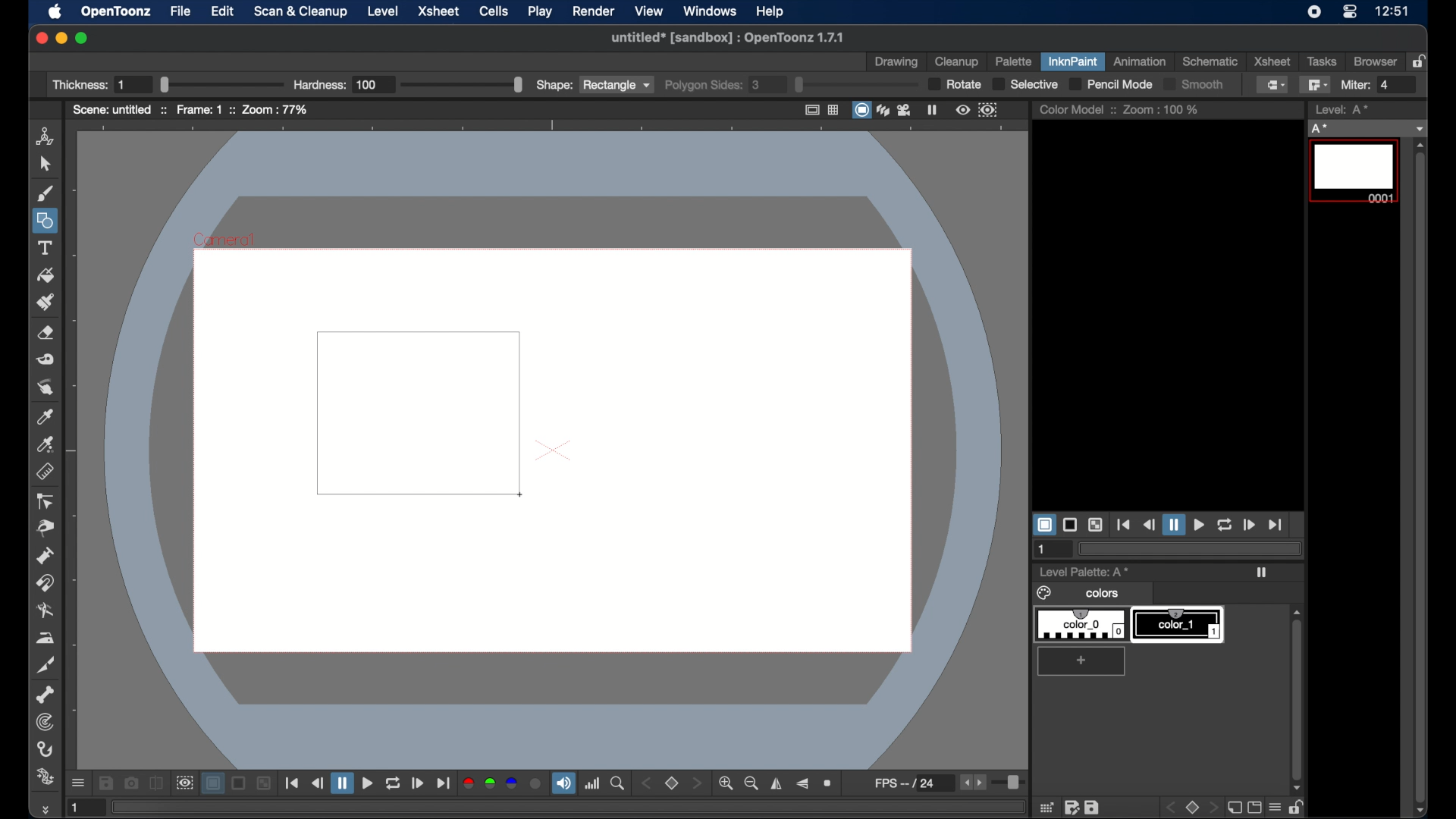  What do you see at coordinates (959, 61) in the screenshot?
I see `cleanup` at bounding box center [959, 61].